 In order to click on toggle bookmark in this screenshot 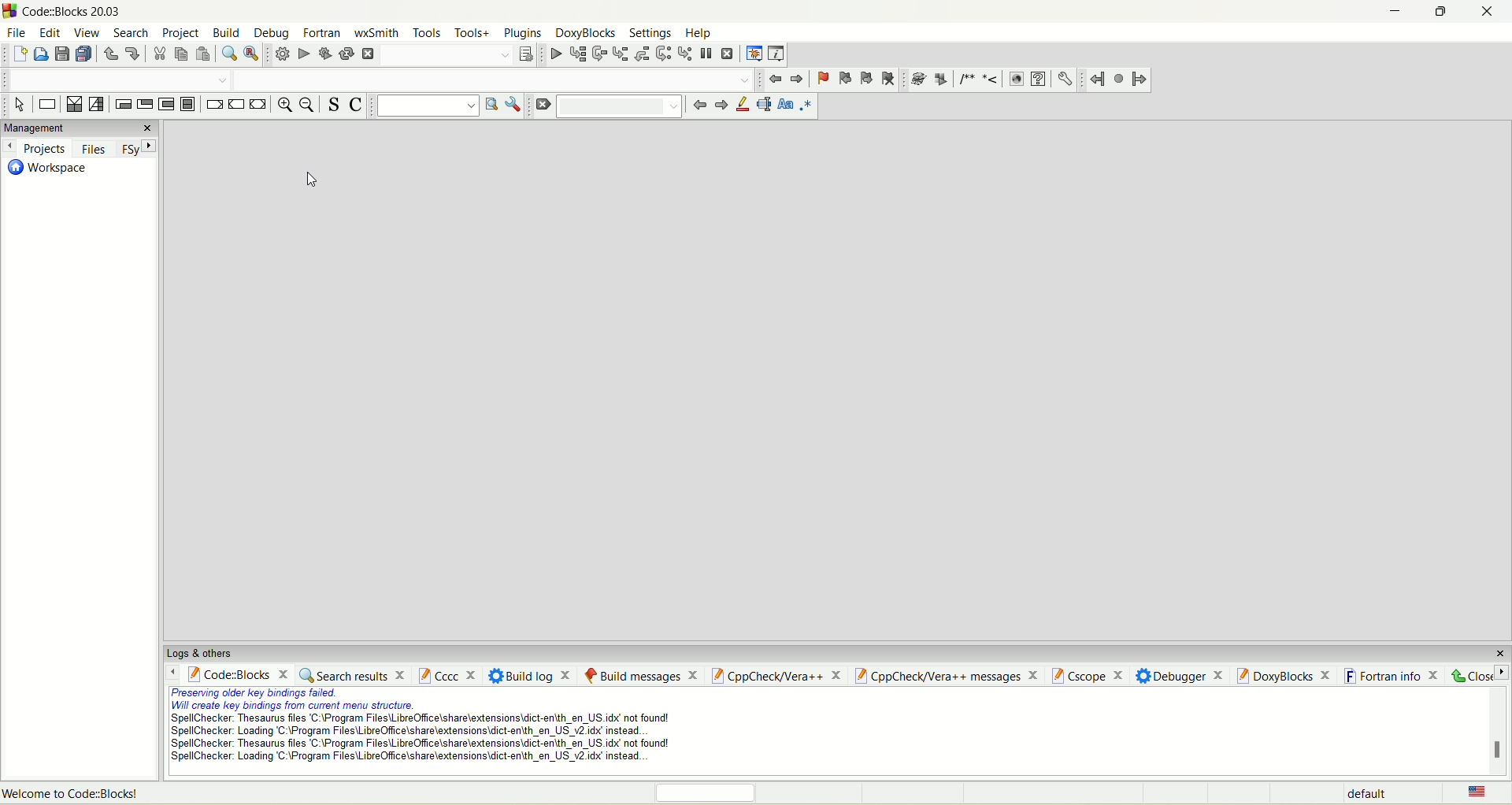, I will do `click(822, 77)`.